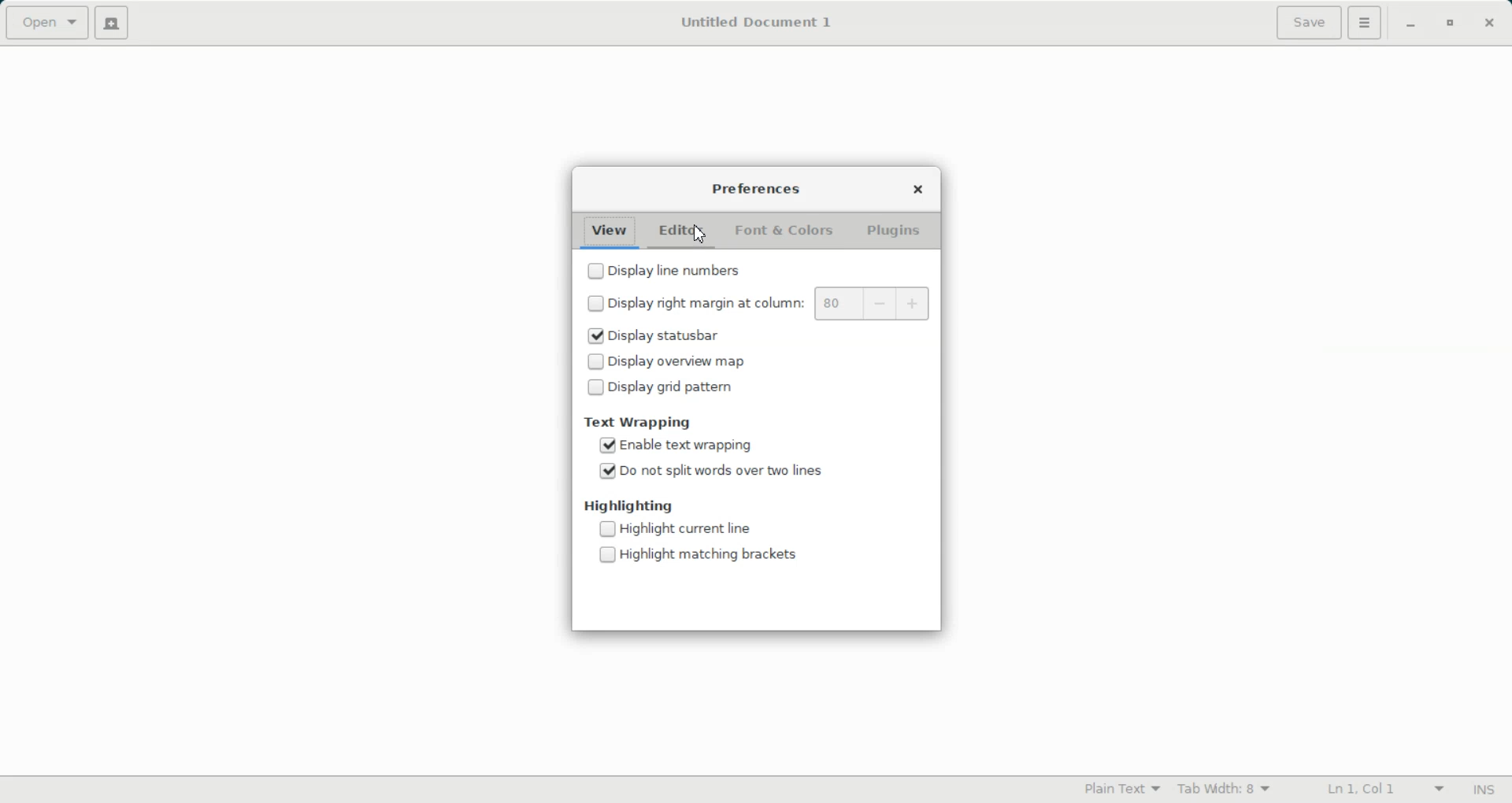  Describe the element at coordinates (784, 233) in the screenshot. I see `Font & Colors` at that location.